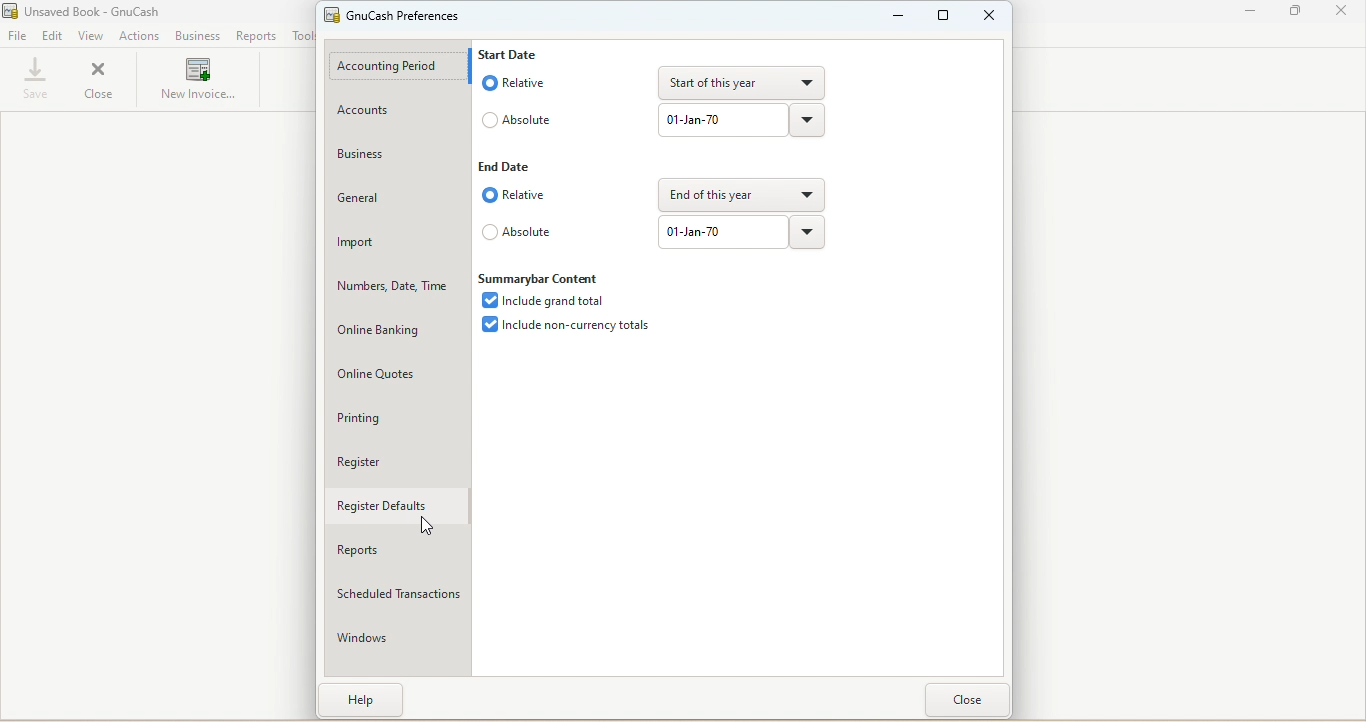  Describe the element at coordinates (396, 504) in the screenshot. I see `Register defaults` at that location.